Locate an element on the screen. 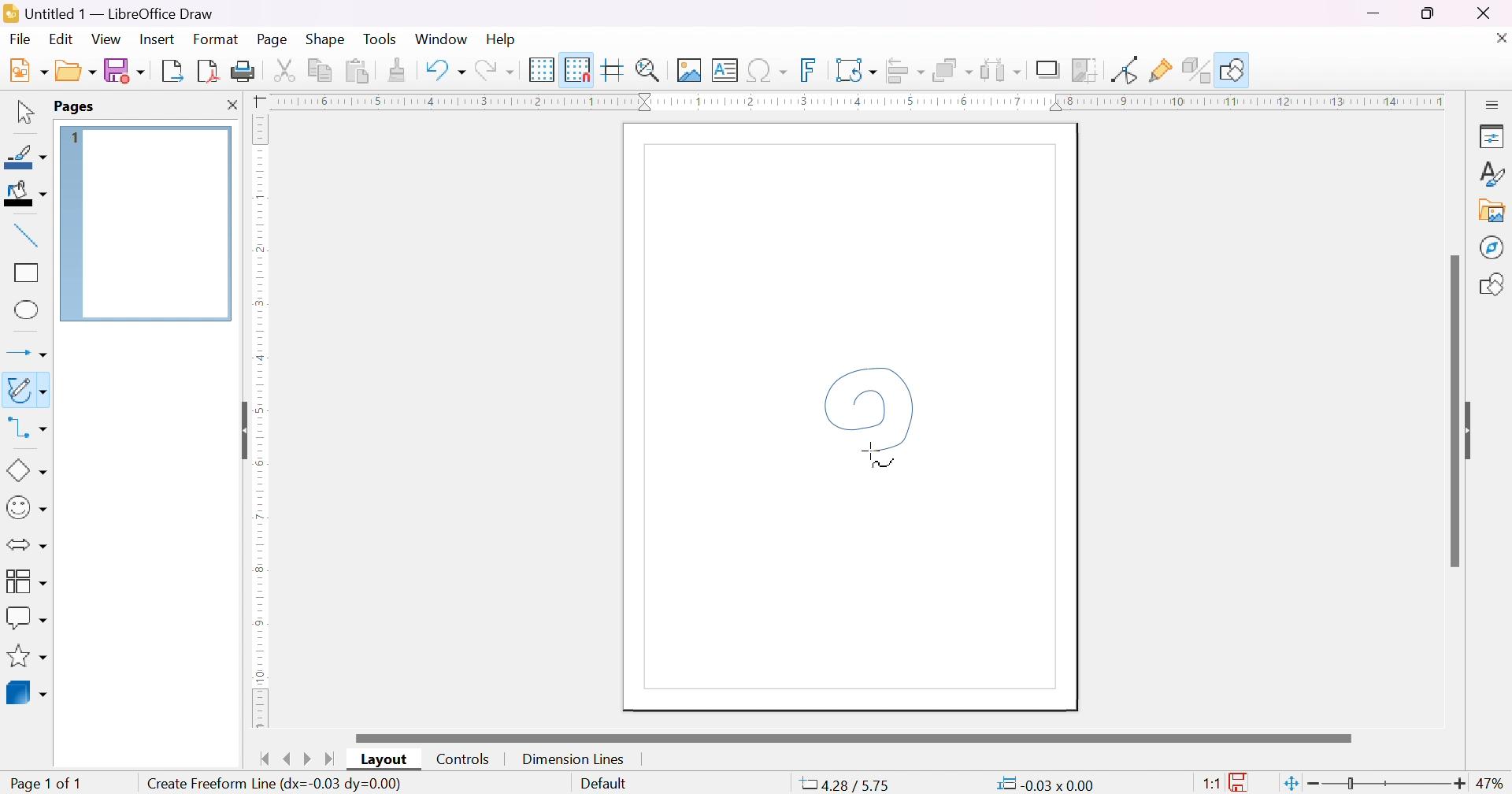  insert fontwork text is located at coordinates (809, 69).